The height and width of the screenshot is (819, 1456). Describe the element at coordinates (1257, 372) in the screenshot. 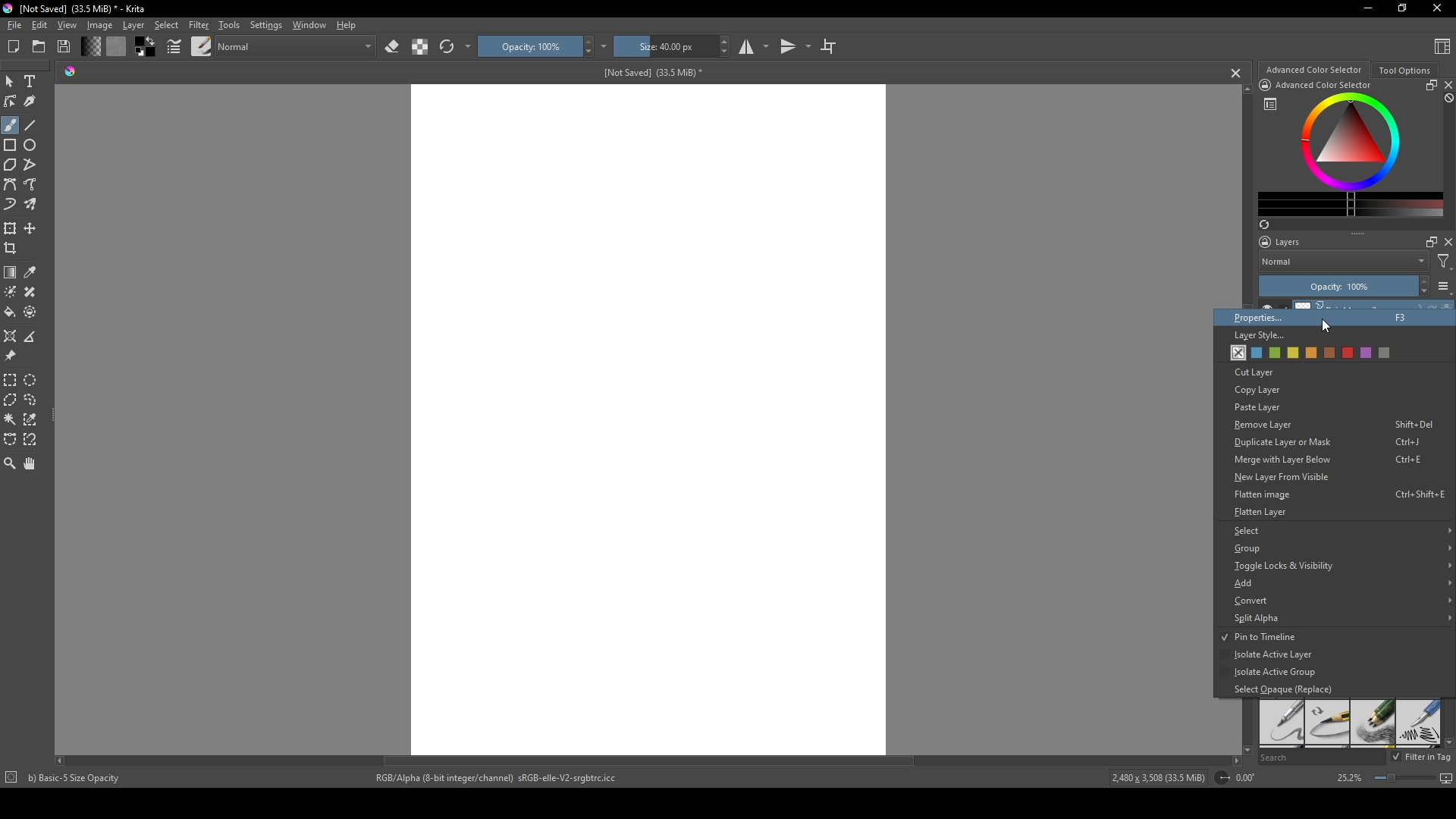

I see `Cut Layer` at that location.